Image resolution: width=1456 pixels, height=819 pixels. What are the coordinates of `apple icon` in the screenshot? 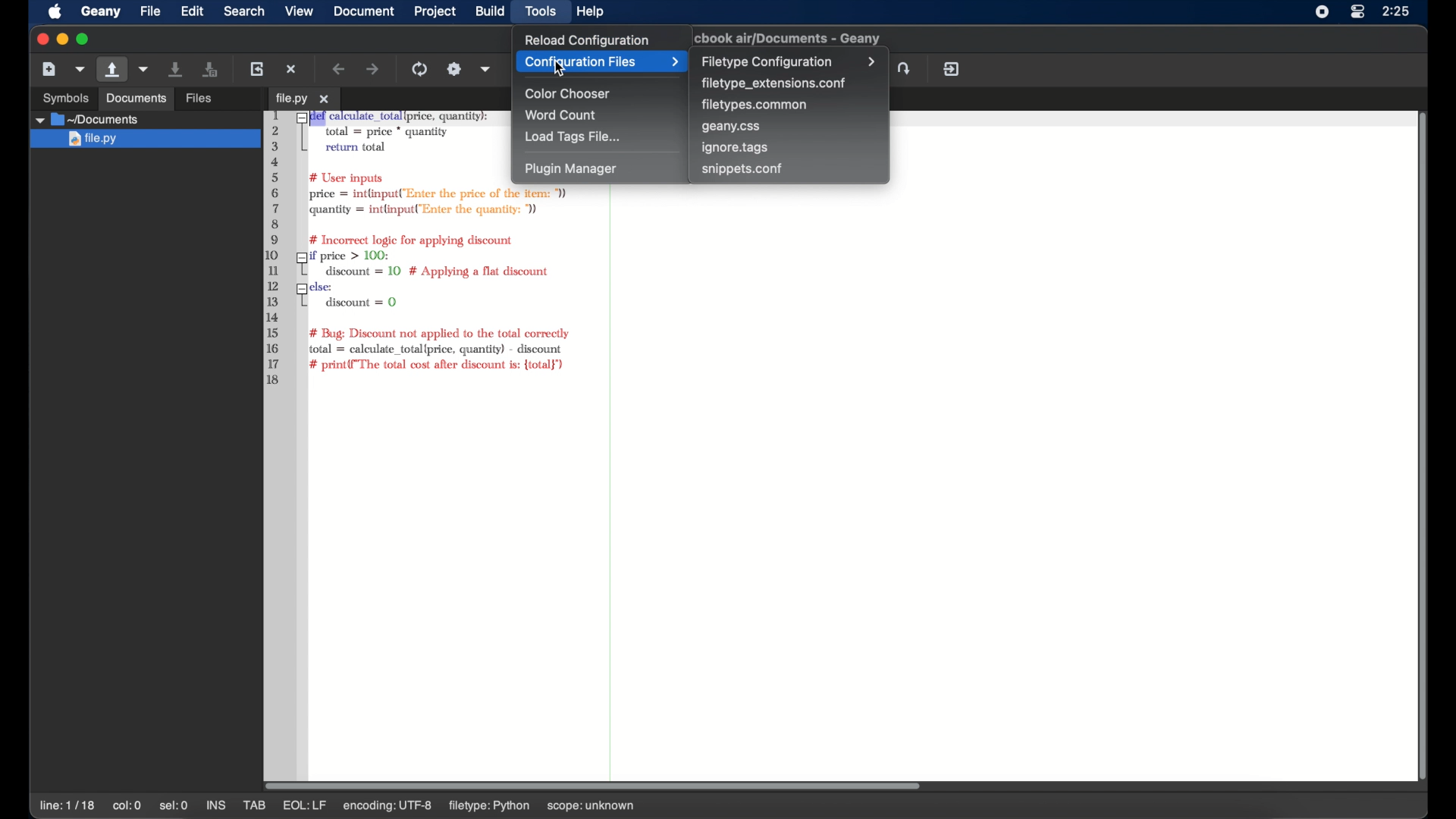 It's located at (55, 12).